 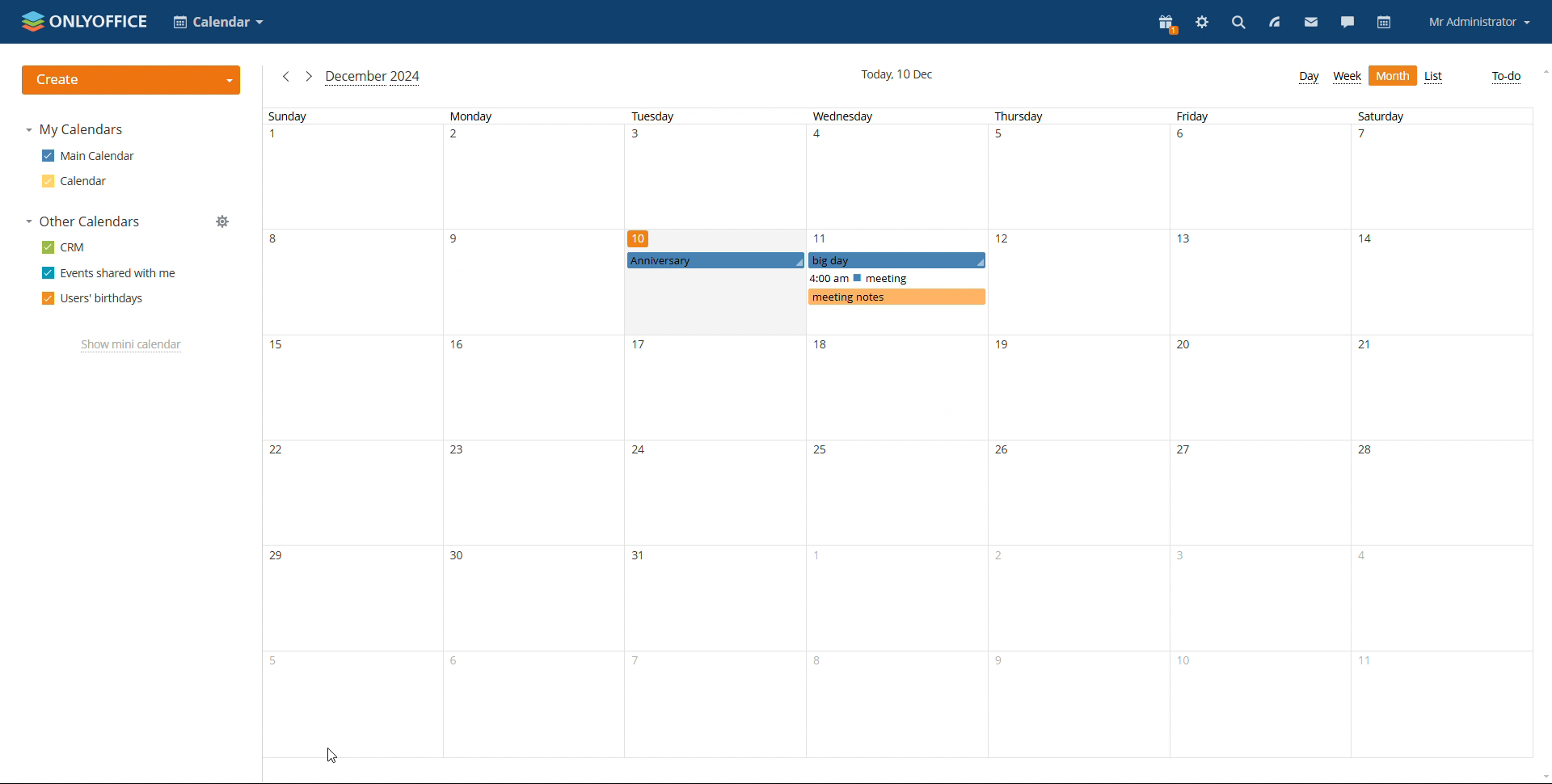 What do you see at coordinates (1309, 78) in the screenshot?
I see `day view` at bounding box center [1309, 78].